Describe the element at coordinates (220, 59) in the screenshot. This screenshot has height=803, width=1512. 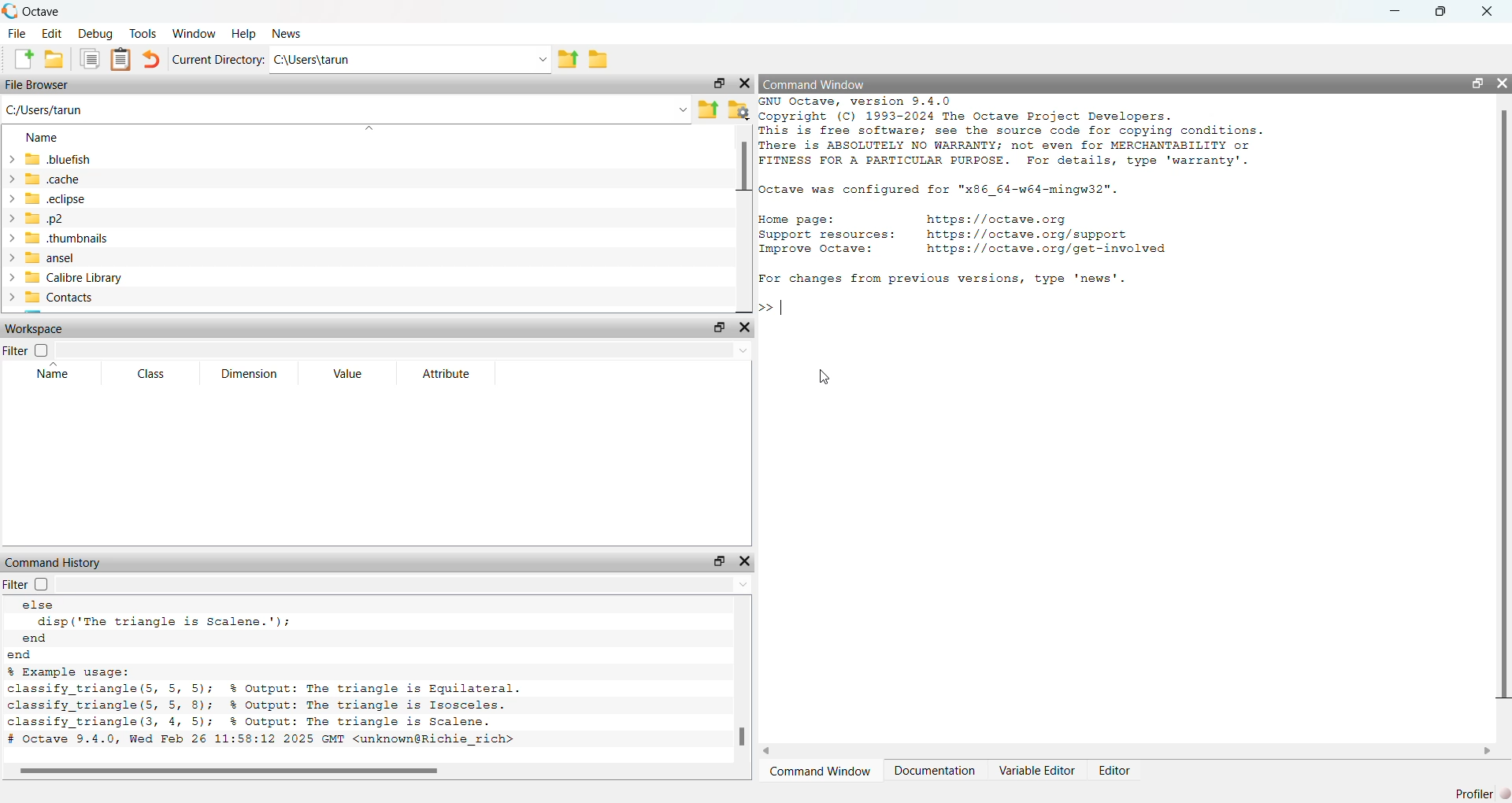
I see `current directory` at that location.